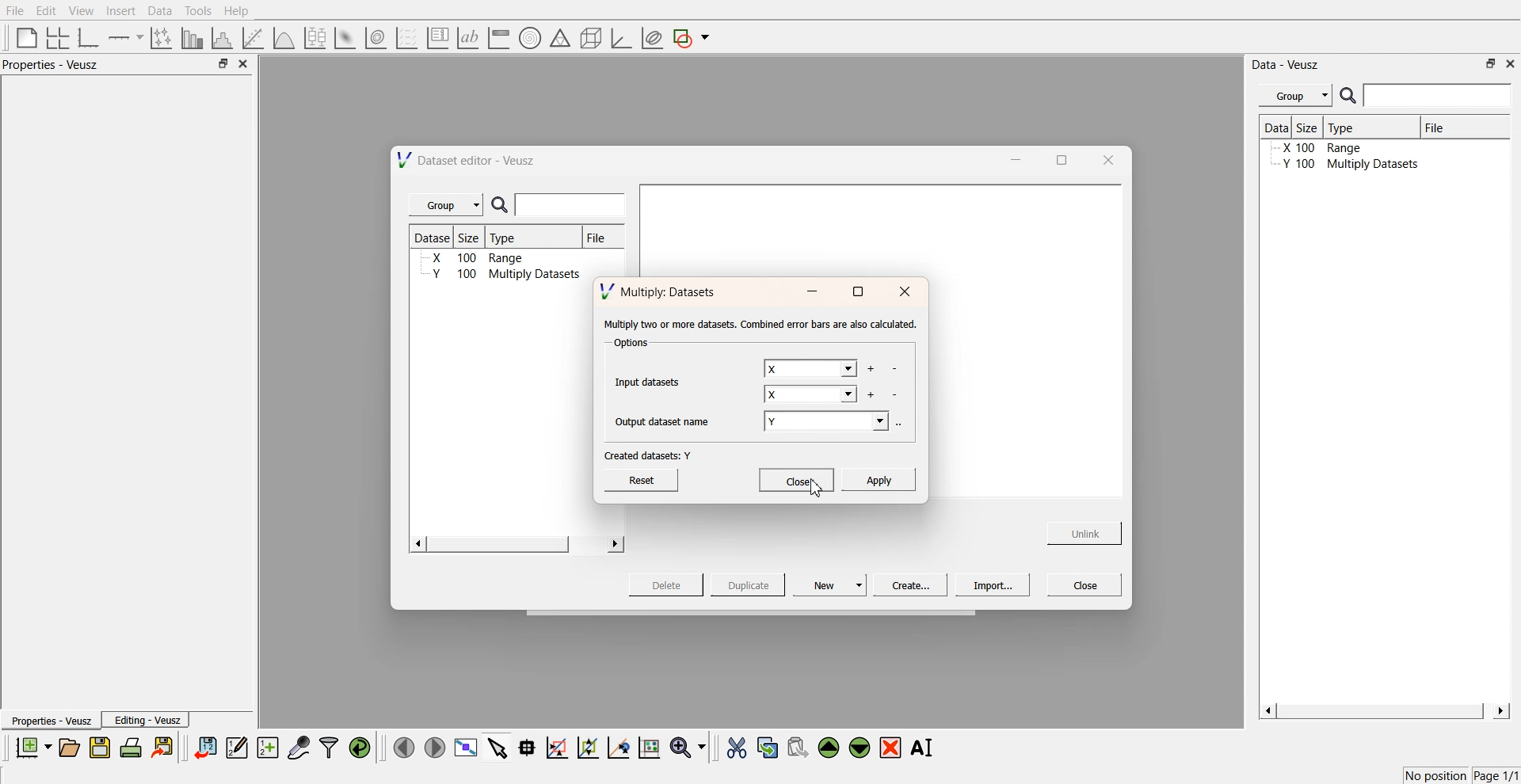 This screenshot has height=784, width=1521. What do you see at coordinates (588, 38) in the screenshot?
I see `3d shapes` at bounding box center [588, 38].